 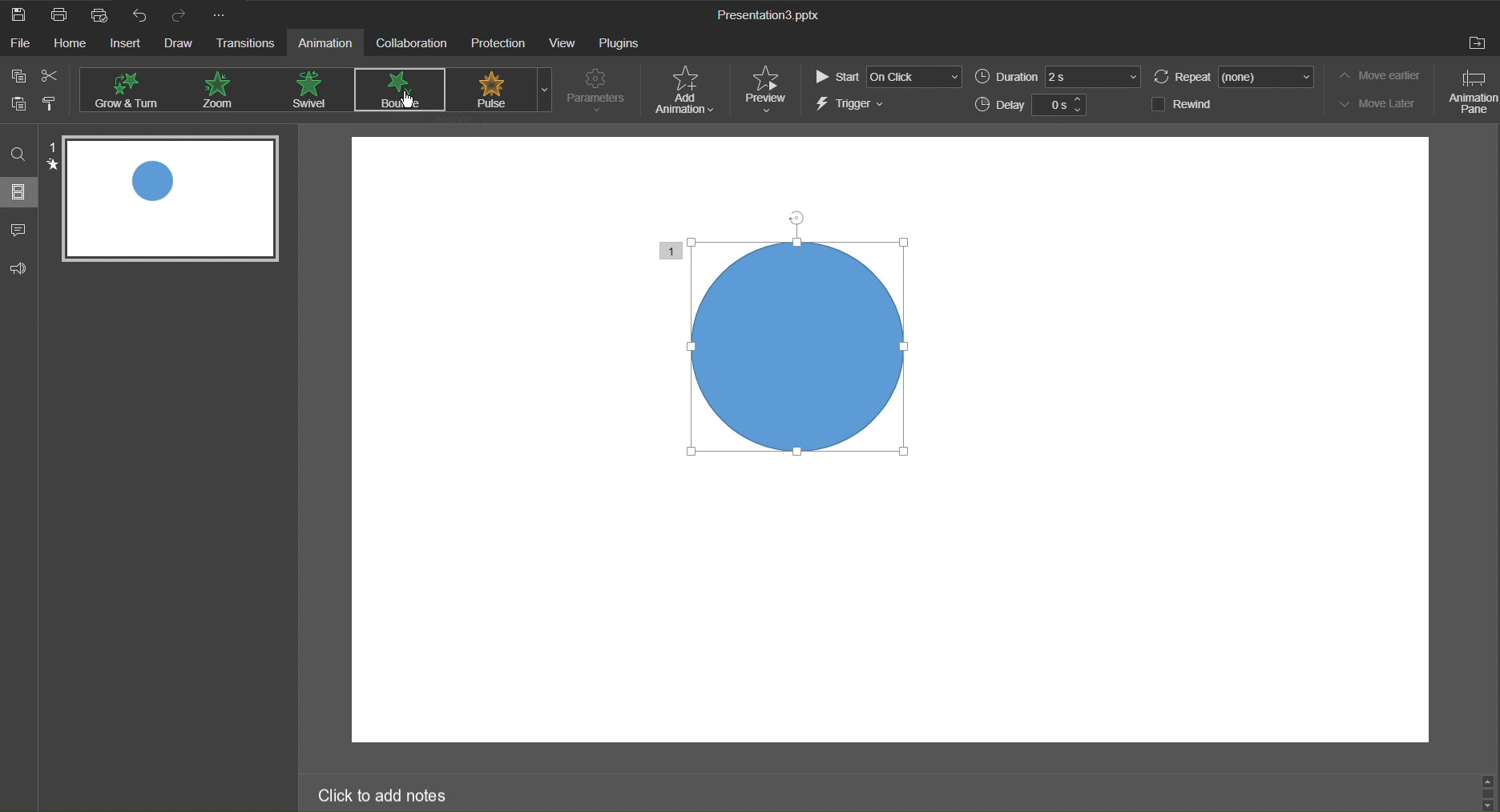 What do you see at coordinates (598, 91) in the screenshot?
I see `Parameters` at bounding box center [598, 91].